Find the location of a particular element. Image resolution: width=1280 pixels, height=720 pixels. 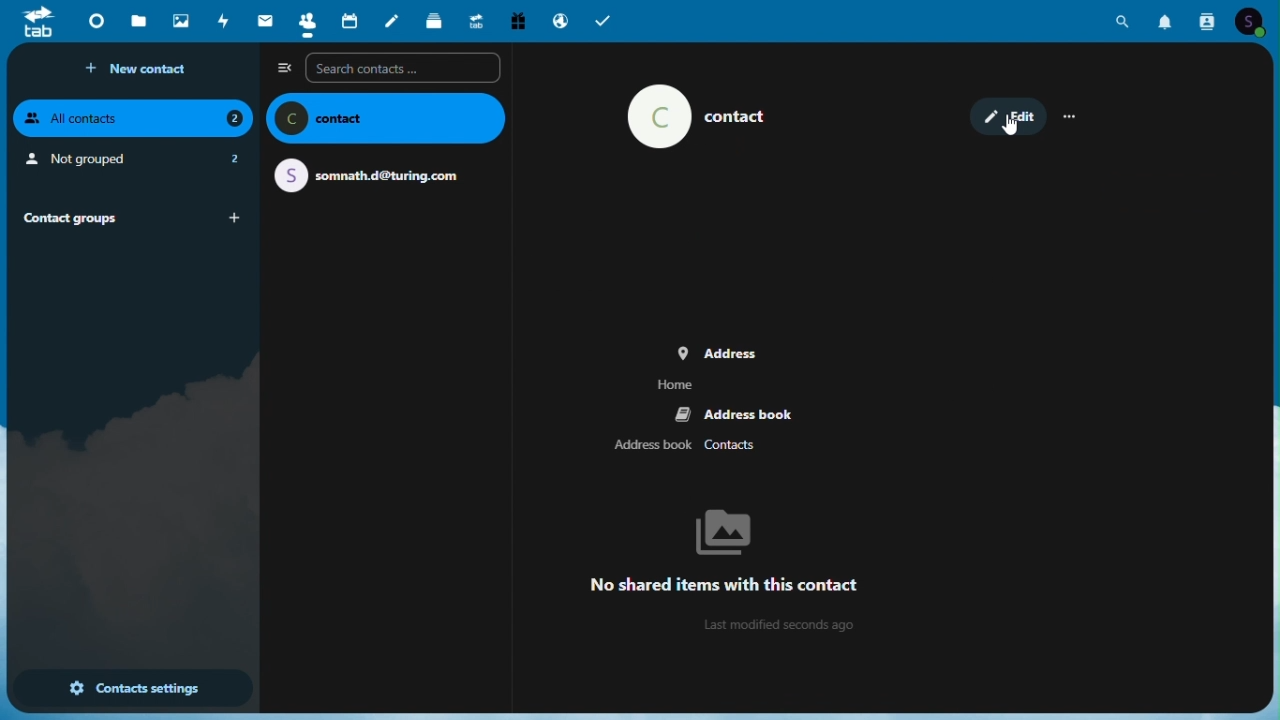

Photo is located at coordinates (180, 21).